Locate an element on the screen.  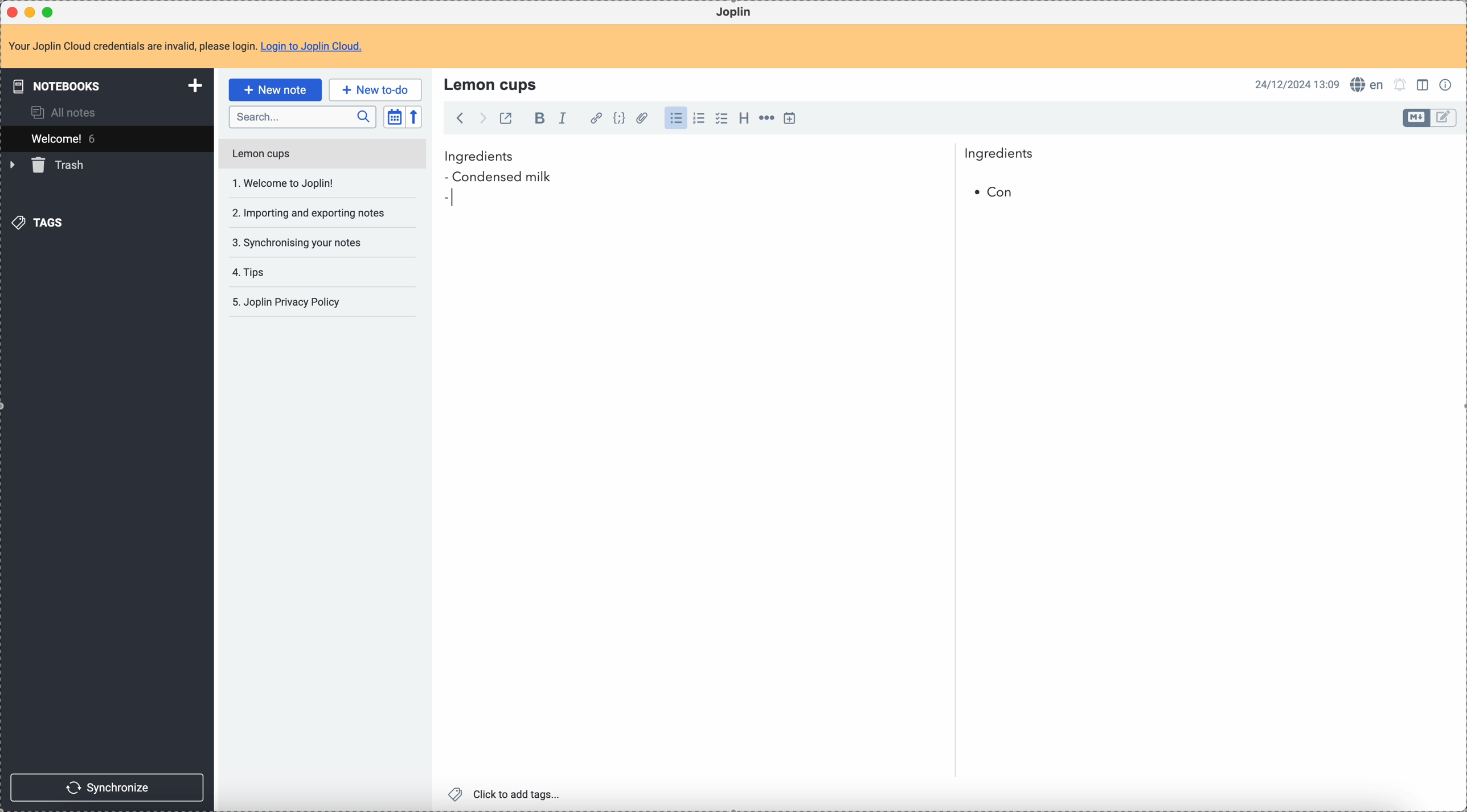
hyperlink is located at coordinates (594, 119).